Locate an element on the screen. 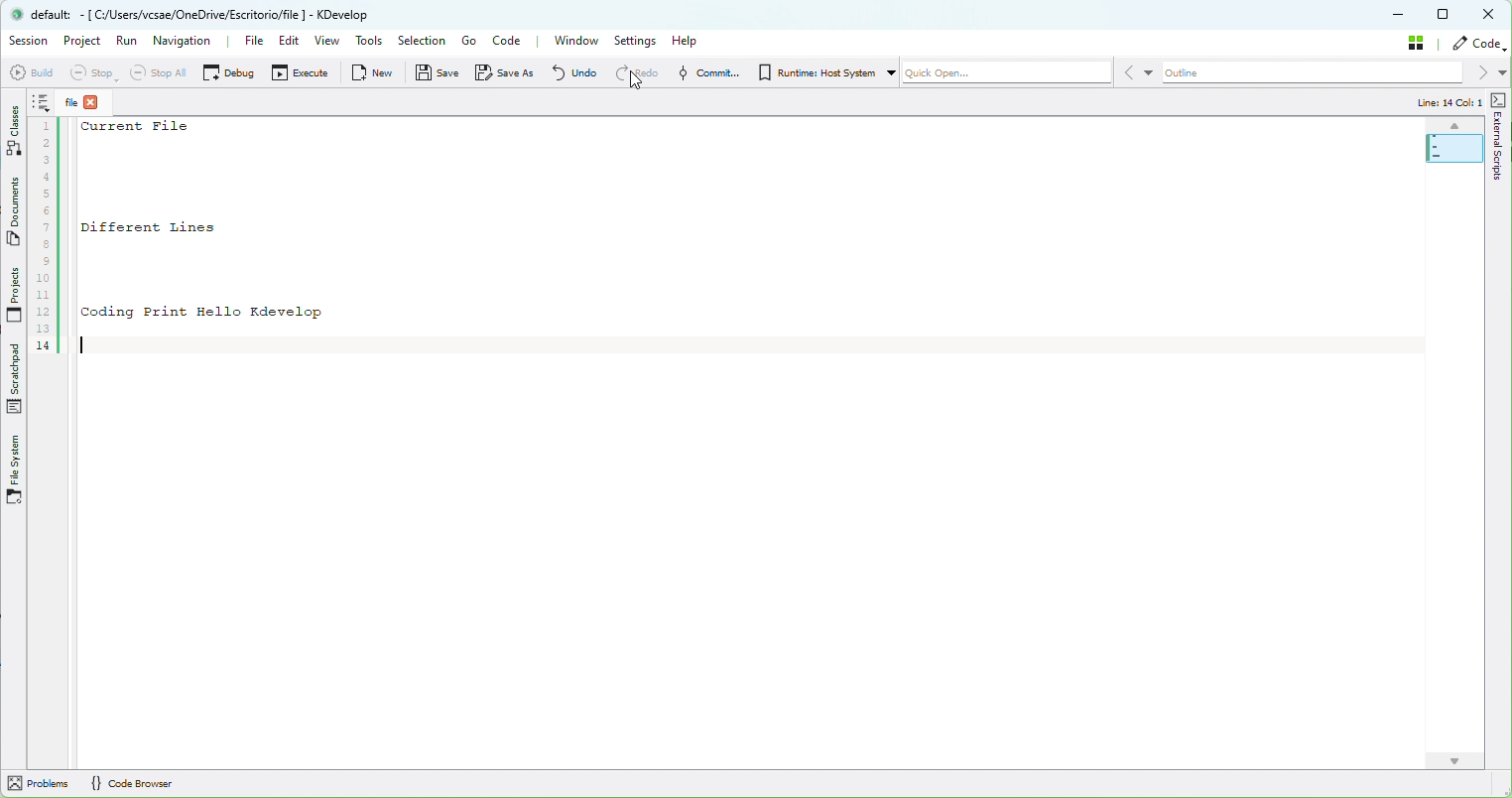  Box is located at coordinates (1444, 15).